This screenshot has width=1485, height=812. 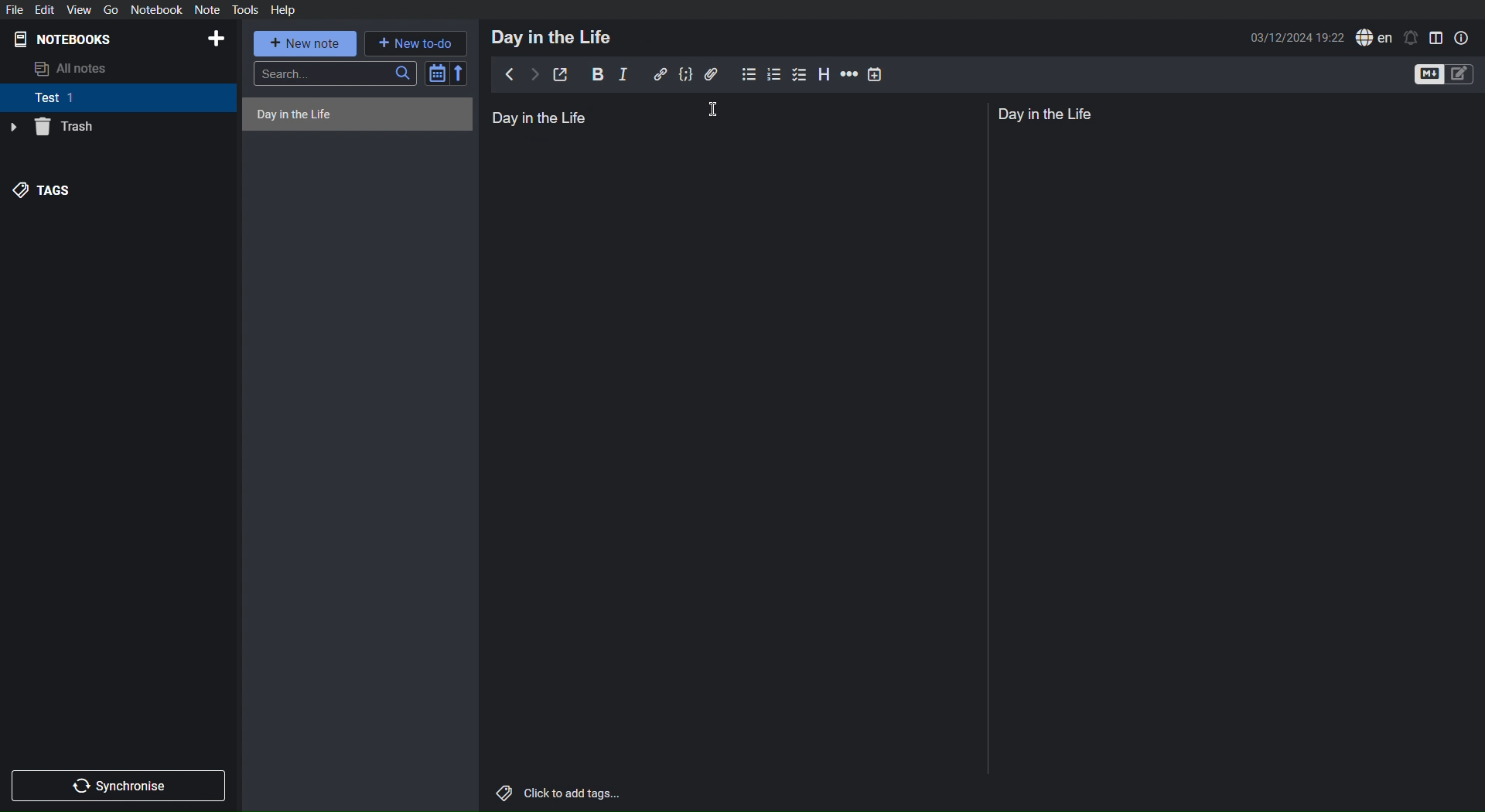 What do you see at coordinates (560, 74) in the screenshot?
I see `Edit externally` at bounding box center [560, 74].